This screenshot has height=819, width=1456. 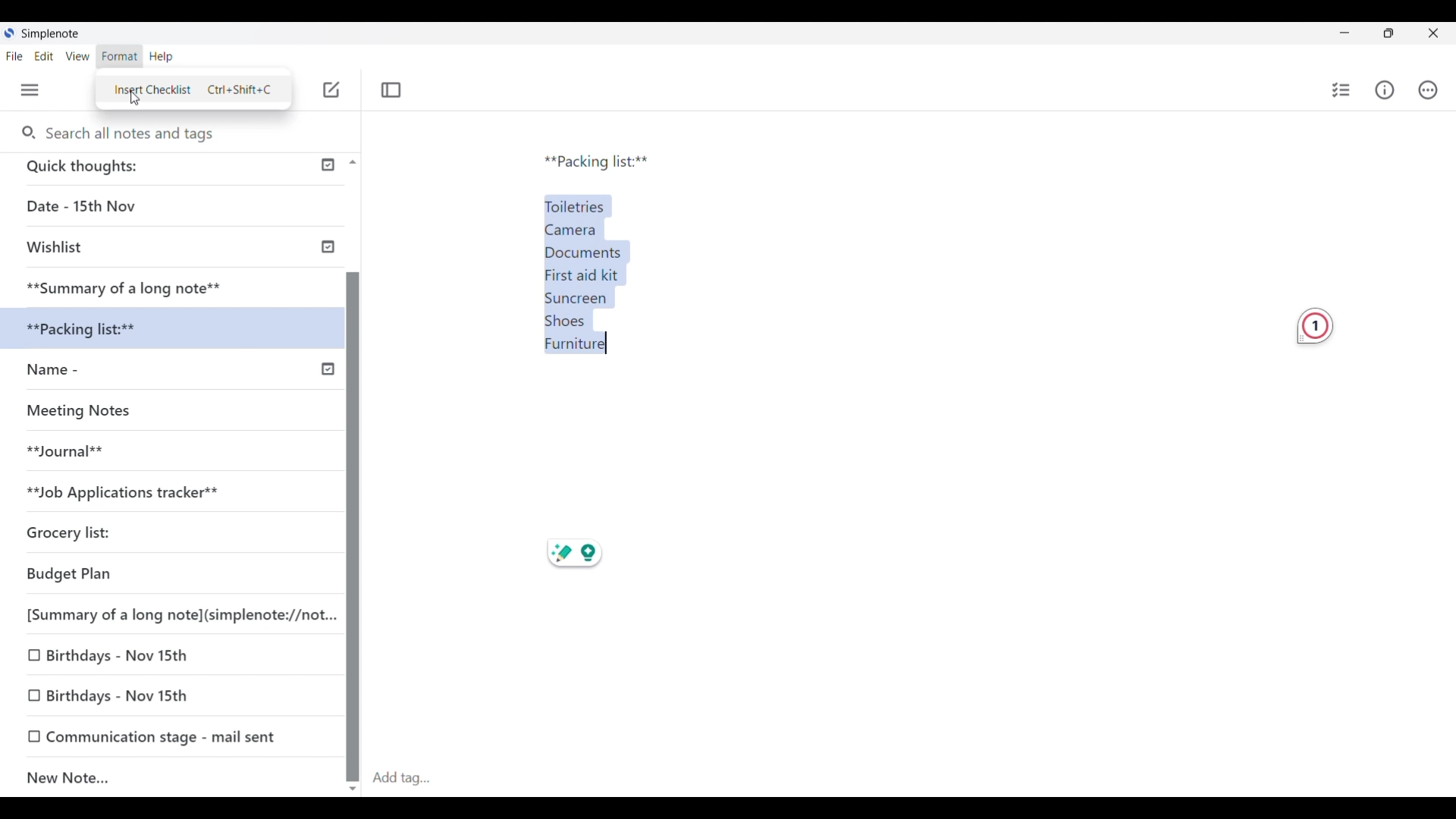 What do you see at coordinates (8, 33) in the screenshot?
I see `Software logo` at bounding box center [8, 33].